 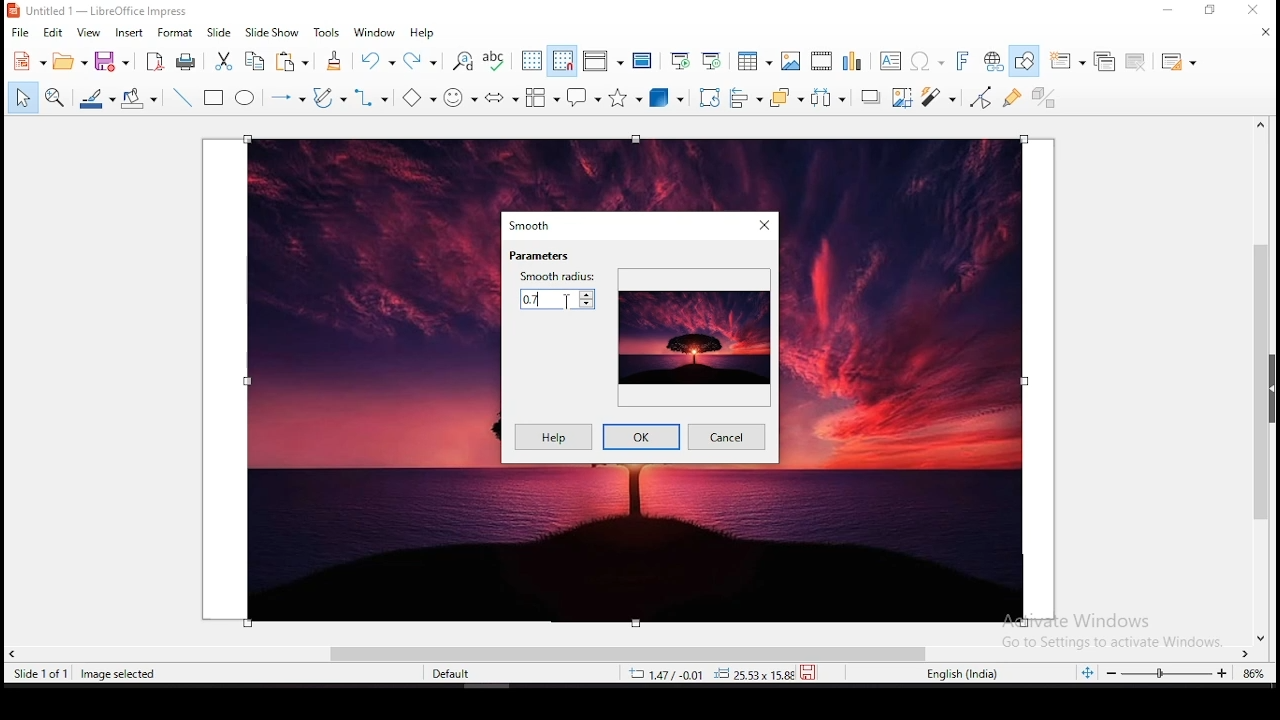 I want to click on spell check, so click(x=496, y=59).